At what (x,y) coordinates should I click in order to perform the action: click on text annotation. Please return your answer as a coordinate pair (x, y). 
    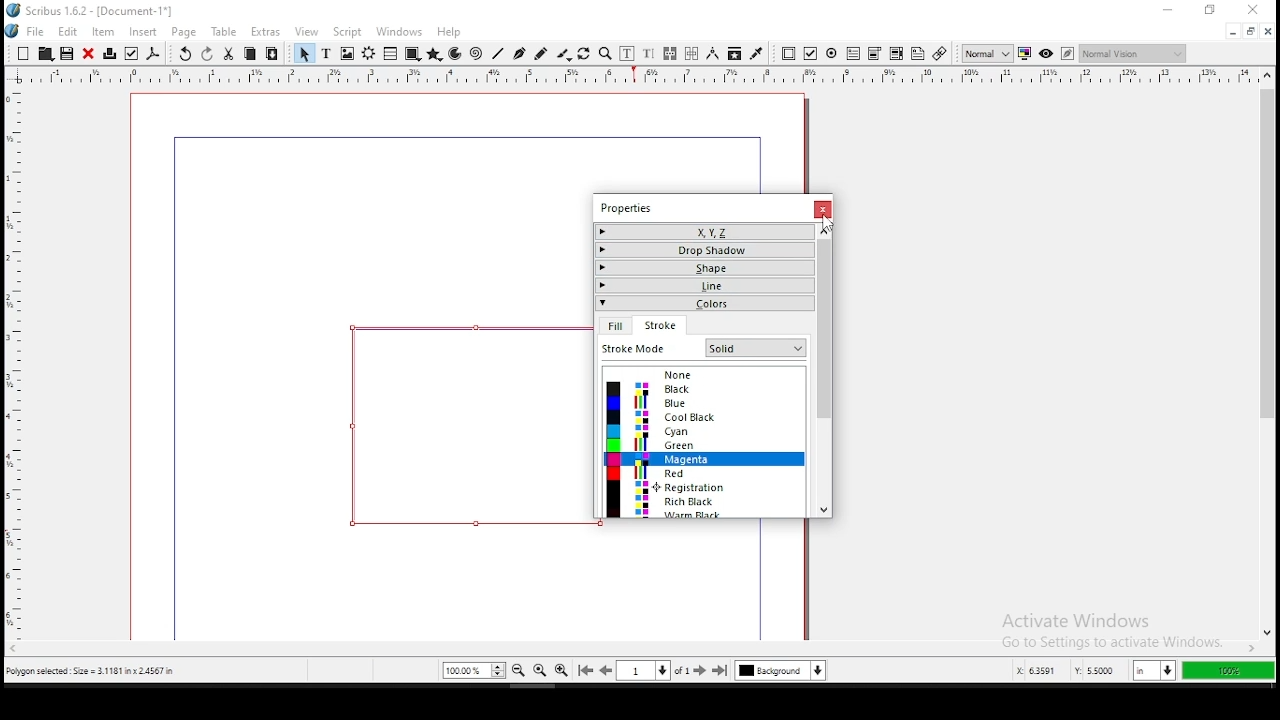
    Looking at the image, I should click on (918, 53).